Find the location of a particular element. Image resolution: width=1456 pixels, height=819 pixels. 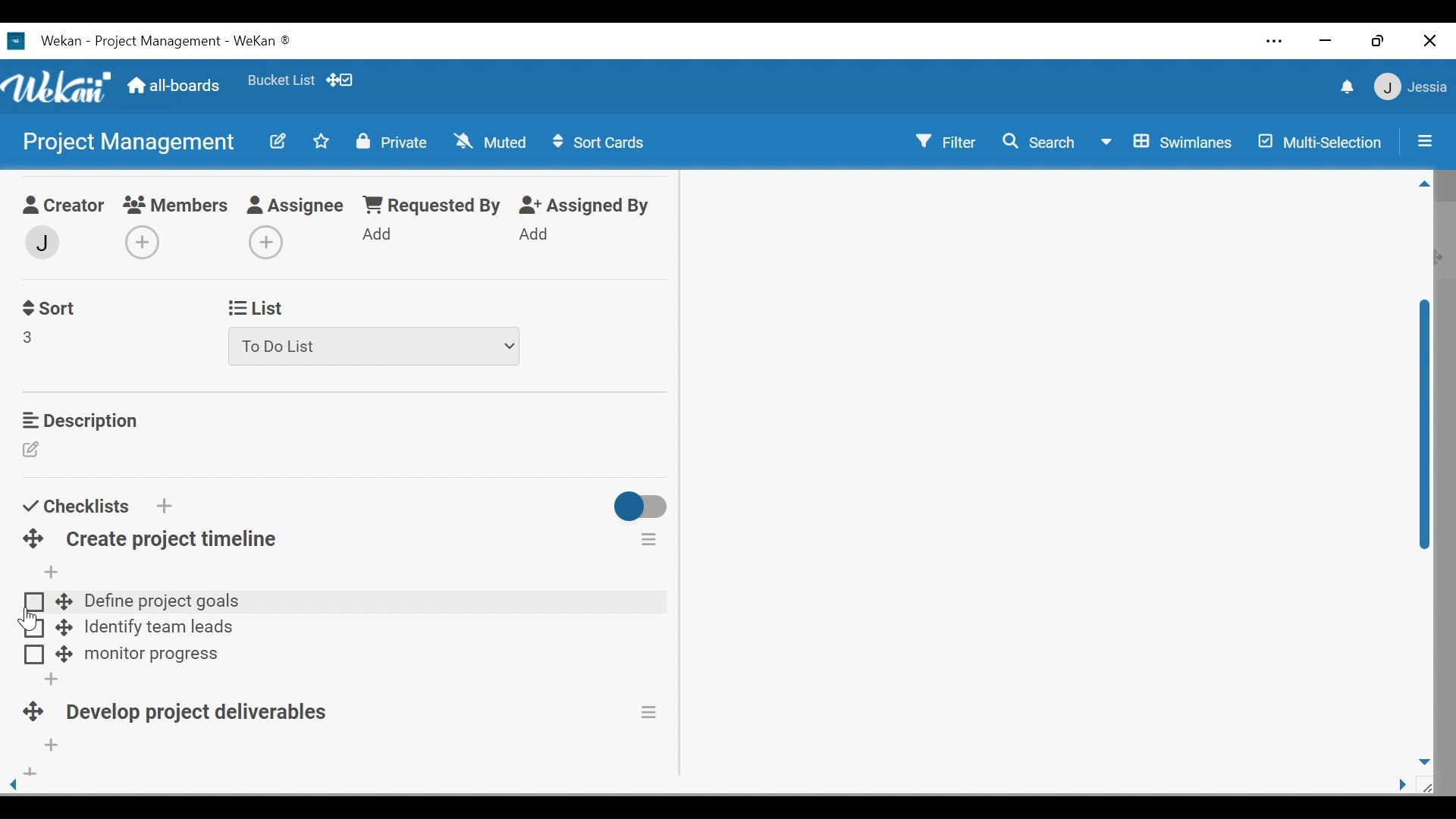

add is located at coordinates (47, 679).